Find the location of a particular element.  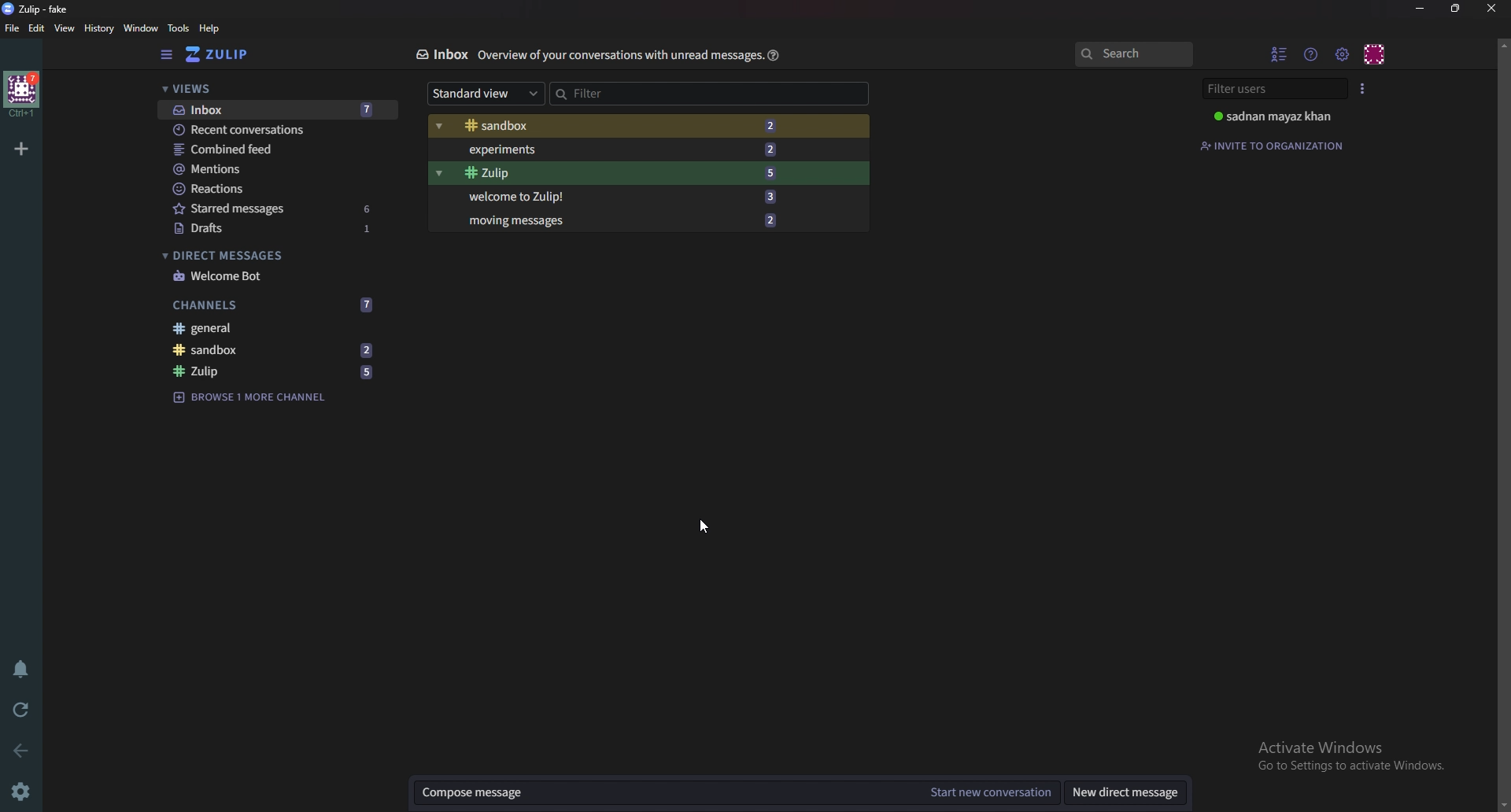

scroll bar is located at coordinates (1503, 421).